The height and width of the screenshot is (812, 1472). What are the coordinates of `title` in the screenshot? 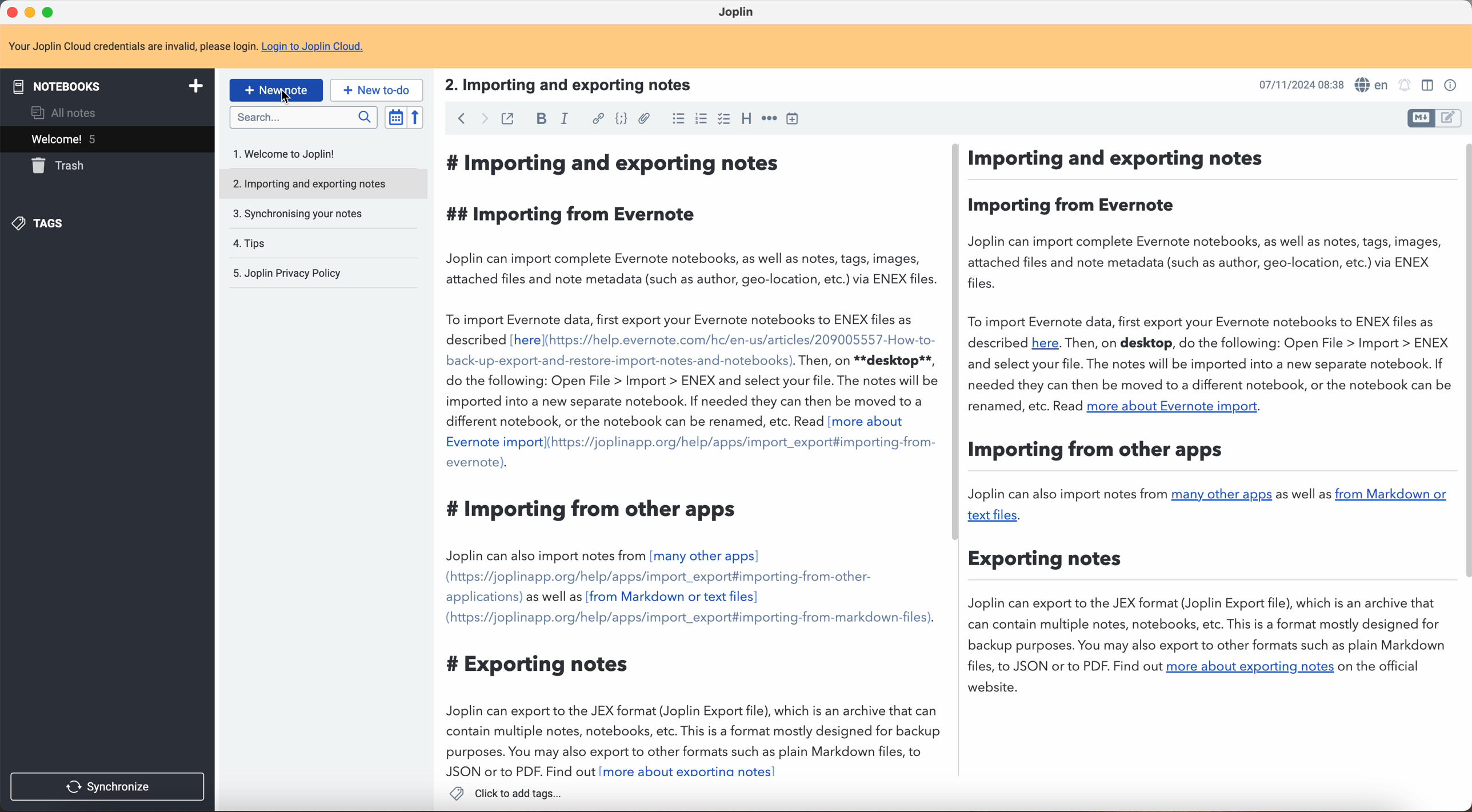 It's located at (570, 85).